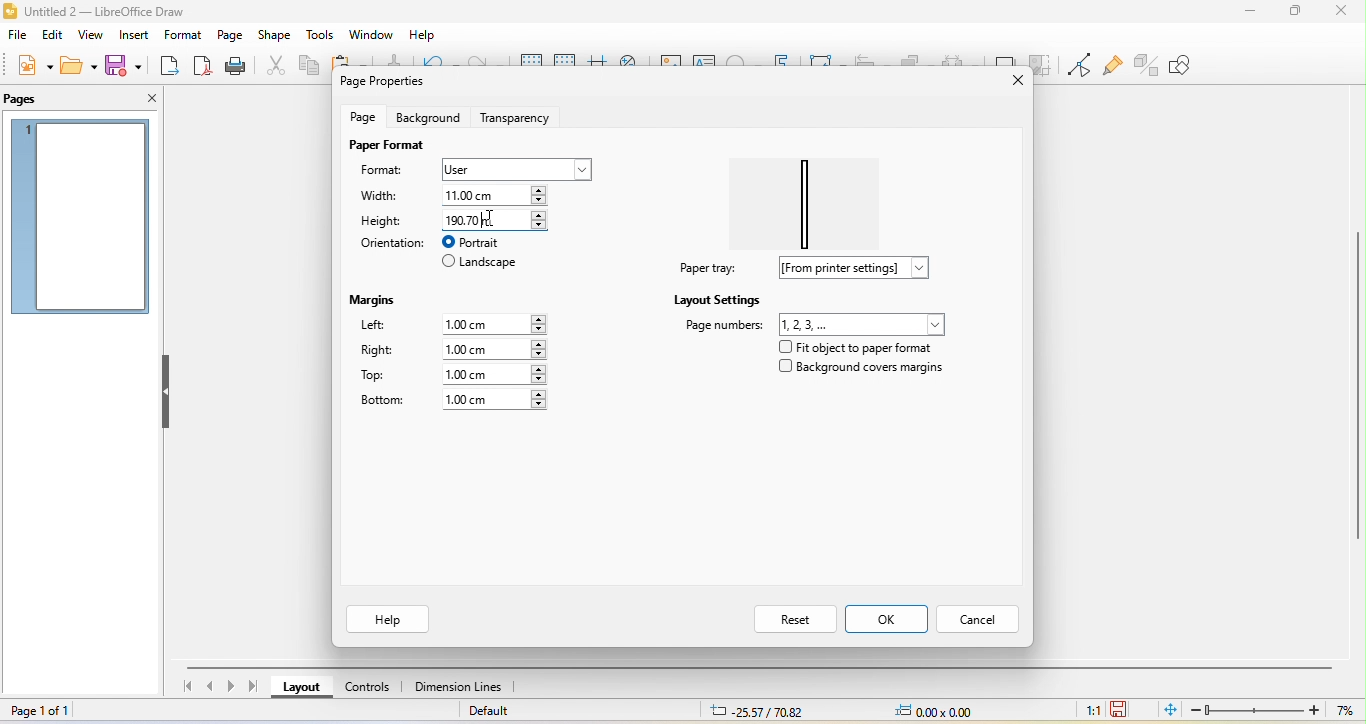  Describe the element at coordinates (1340, 11) in the screenshot. I see `close` at that location.